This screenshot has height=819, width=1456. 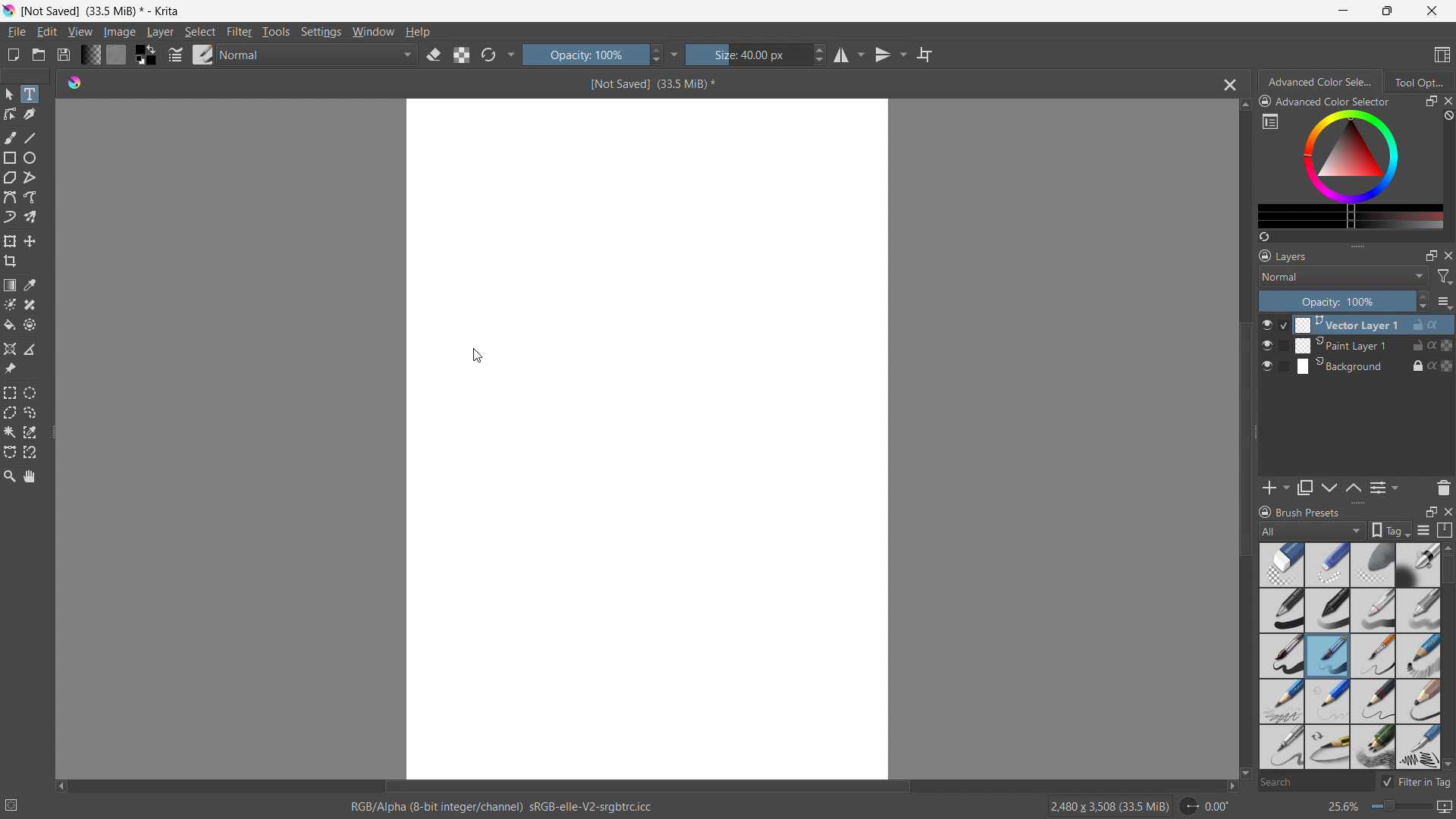 What do you see at coordinates (1244, 774) in the screenshot?
I see `scroll down` at bounding box center [1244, 774].